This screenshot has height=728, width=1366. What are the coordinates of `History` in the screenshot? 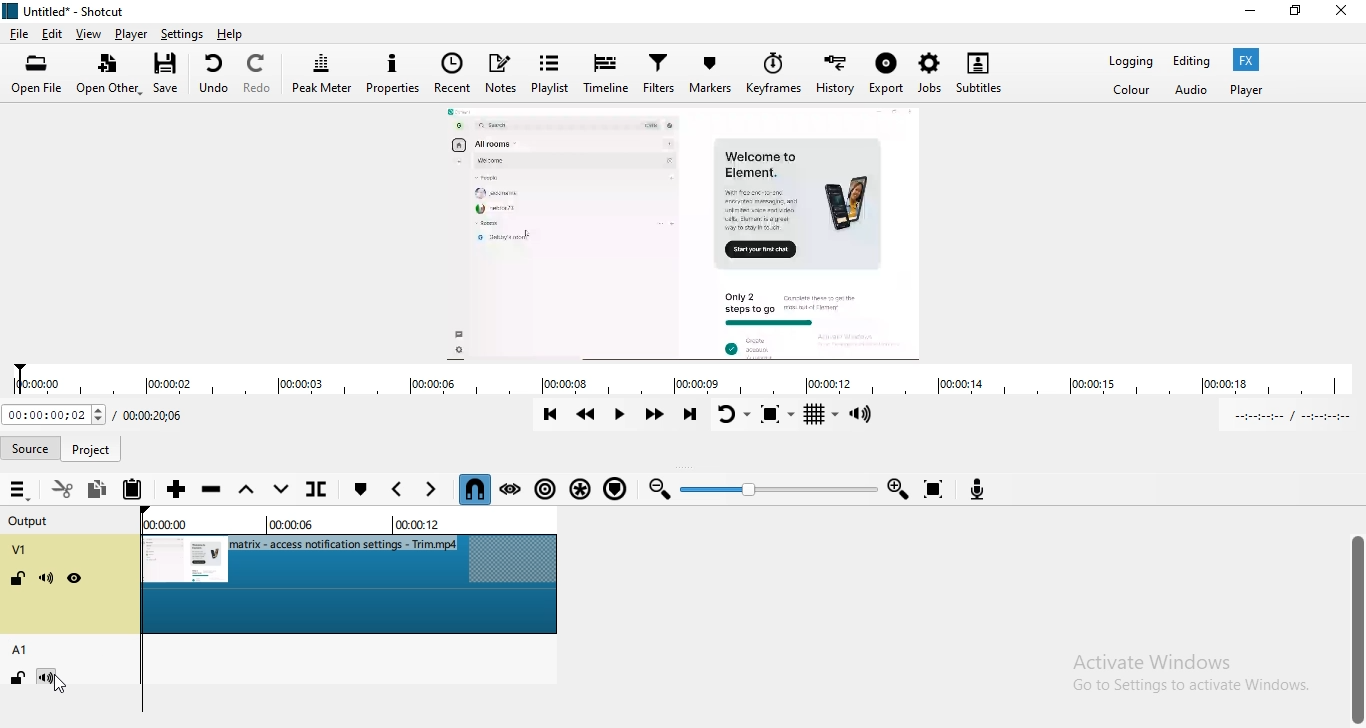 It's located at (833, 76).